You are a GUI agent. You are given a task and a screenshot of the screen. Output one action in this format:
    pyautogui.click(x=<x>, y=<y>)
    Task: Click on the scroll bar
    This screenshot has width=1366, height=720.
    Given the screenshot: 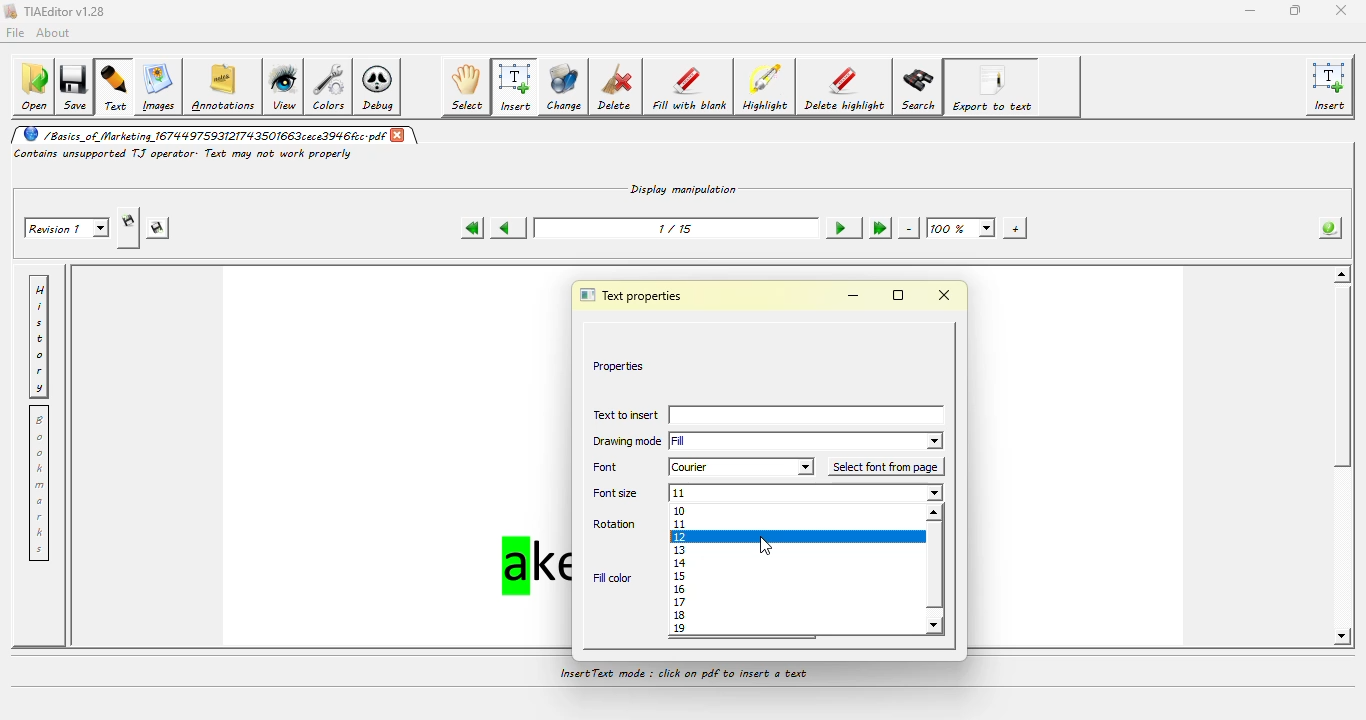 What is the action you would take?
    pyautogui.click(x=1346, y=385)
    